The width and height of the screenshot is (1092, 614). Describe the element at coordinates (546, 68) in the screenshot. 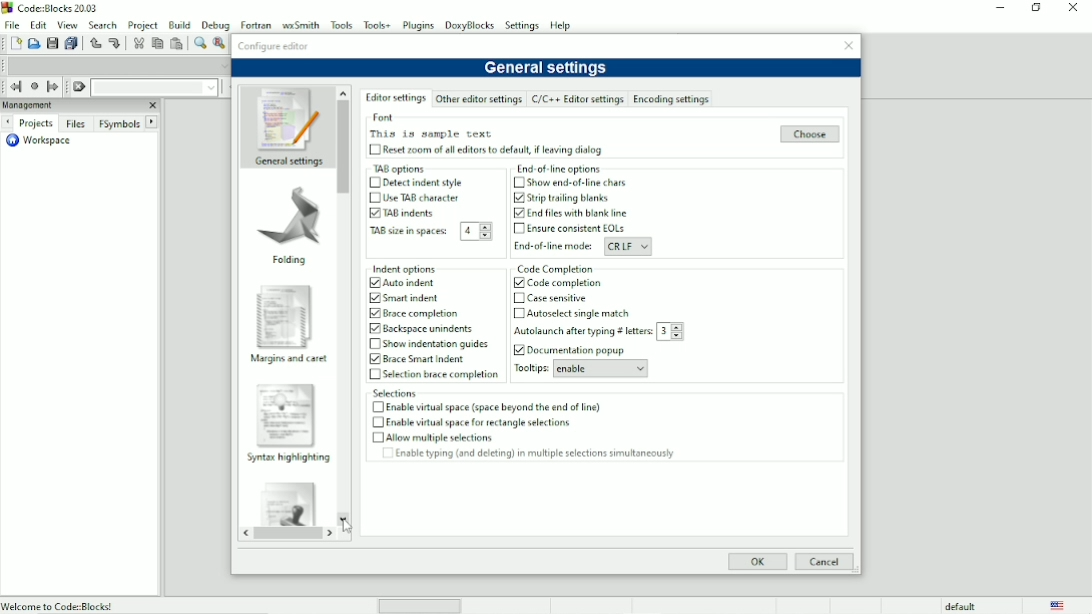

I see `General settings` at that location.